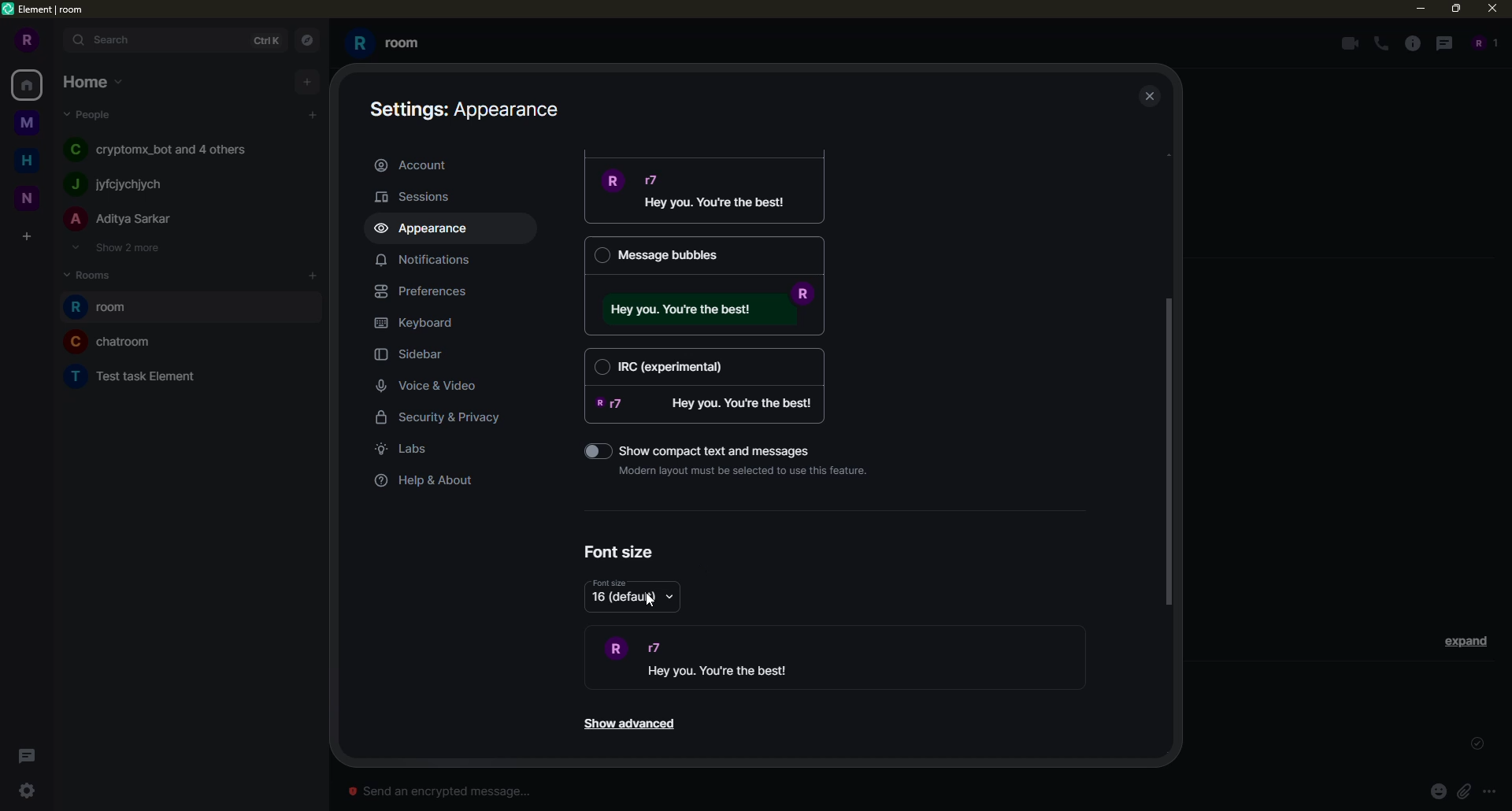 The height and width of the screenshot is (811, 1512). I want to click on home, so click(94, 80).